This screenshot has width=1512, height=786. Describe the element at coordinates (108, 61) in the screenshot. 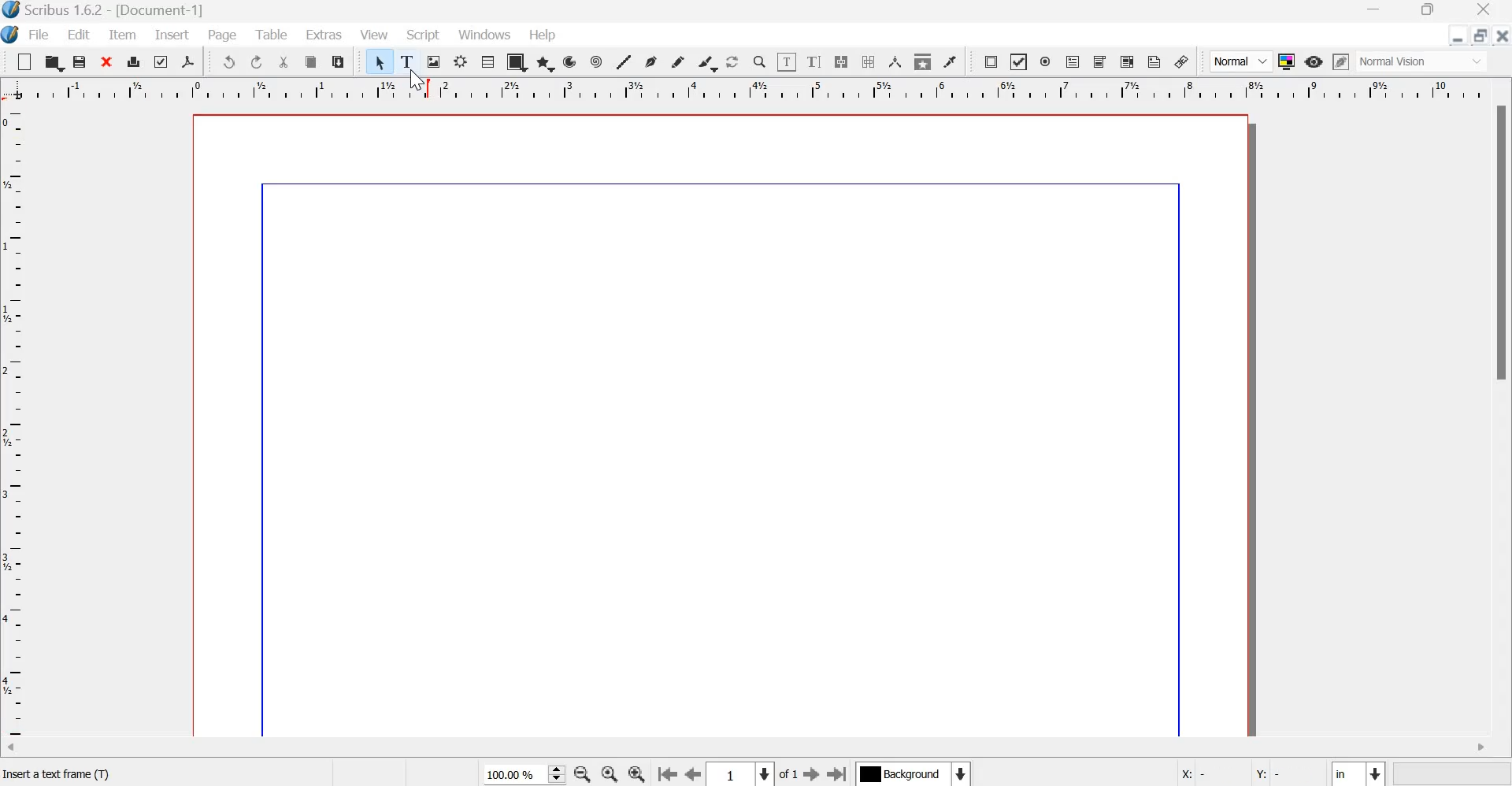

I see `close` at that location.